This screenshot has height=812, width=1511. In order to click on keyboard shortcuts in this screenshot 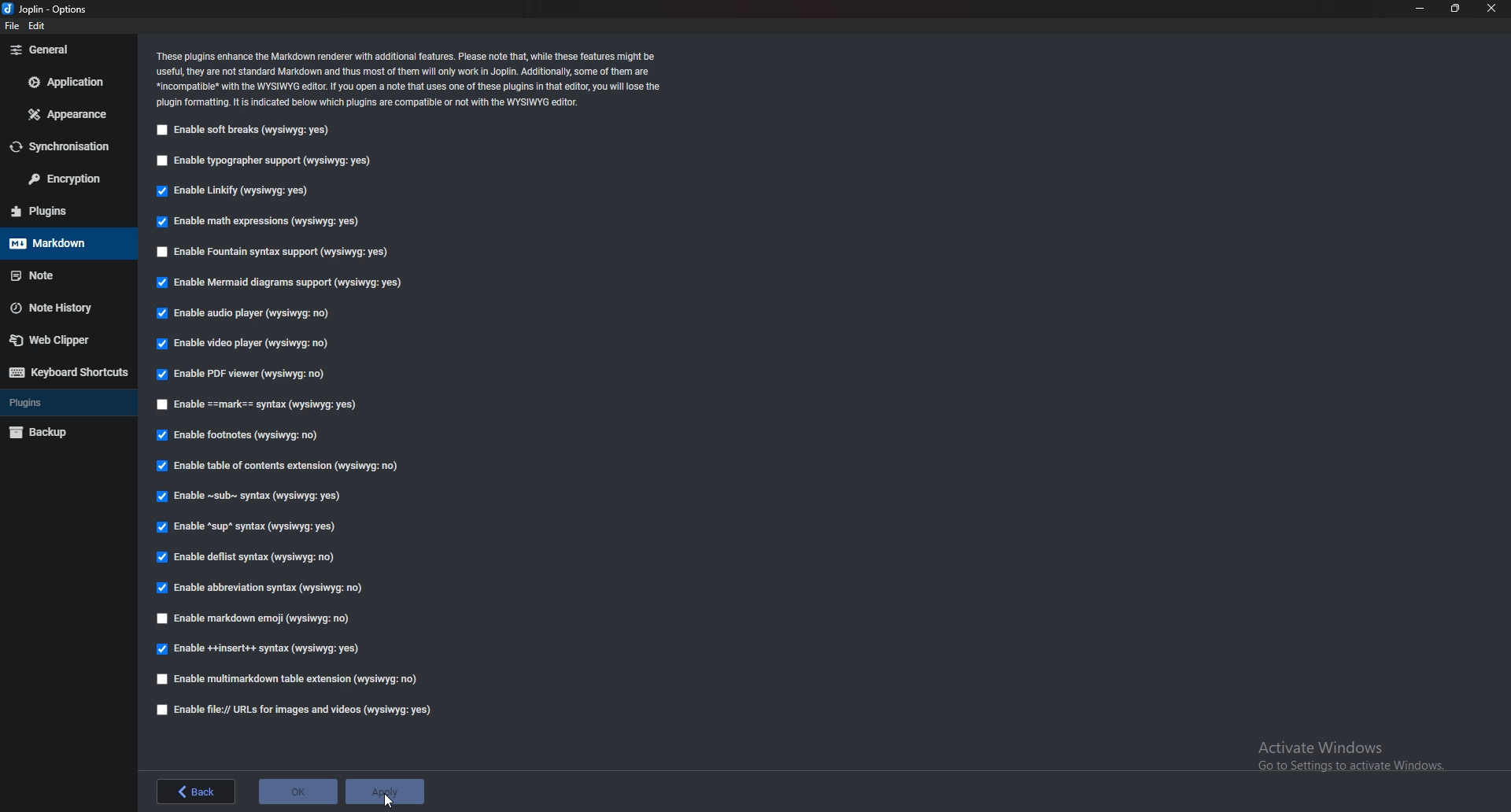, I will do `click(68, 371)`.